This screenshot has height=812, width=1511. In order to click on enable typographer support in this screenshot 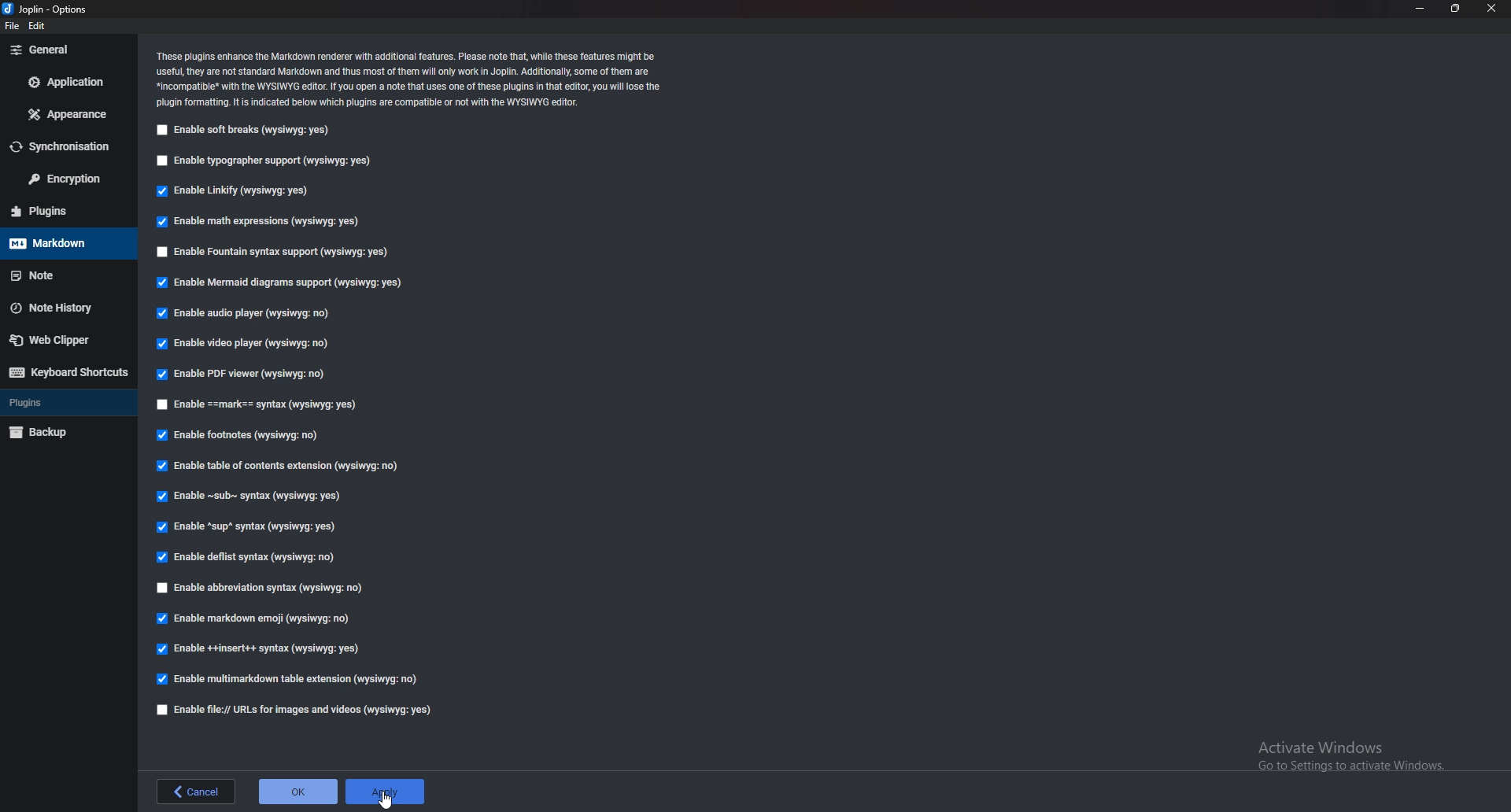, I will do `click(265, 164)`.